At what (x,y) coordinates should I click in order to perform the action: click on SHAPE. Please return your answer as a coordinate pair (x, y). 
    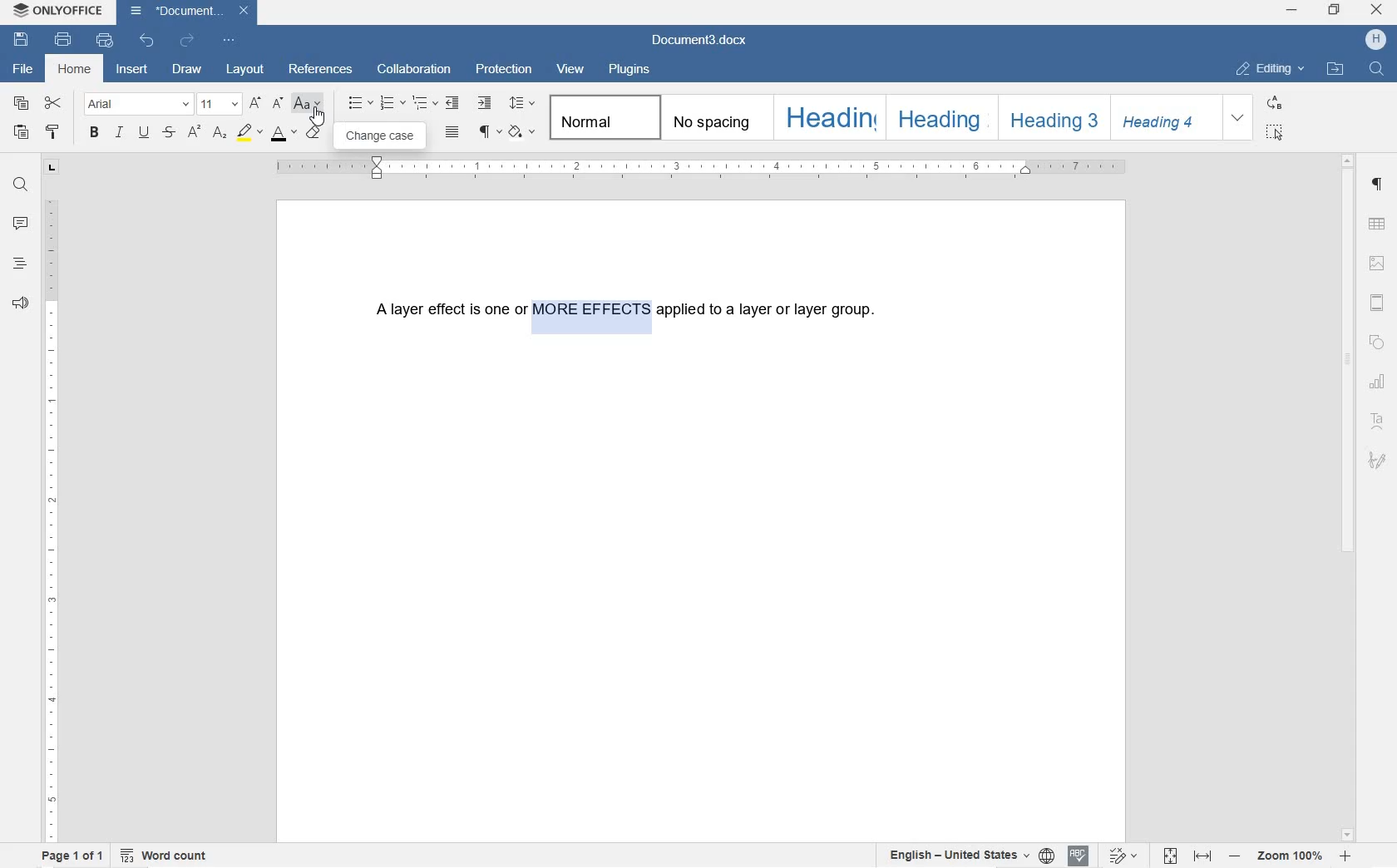
    Looking at the image, I should click on (1378, 343).